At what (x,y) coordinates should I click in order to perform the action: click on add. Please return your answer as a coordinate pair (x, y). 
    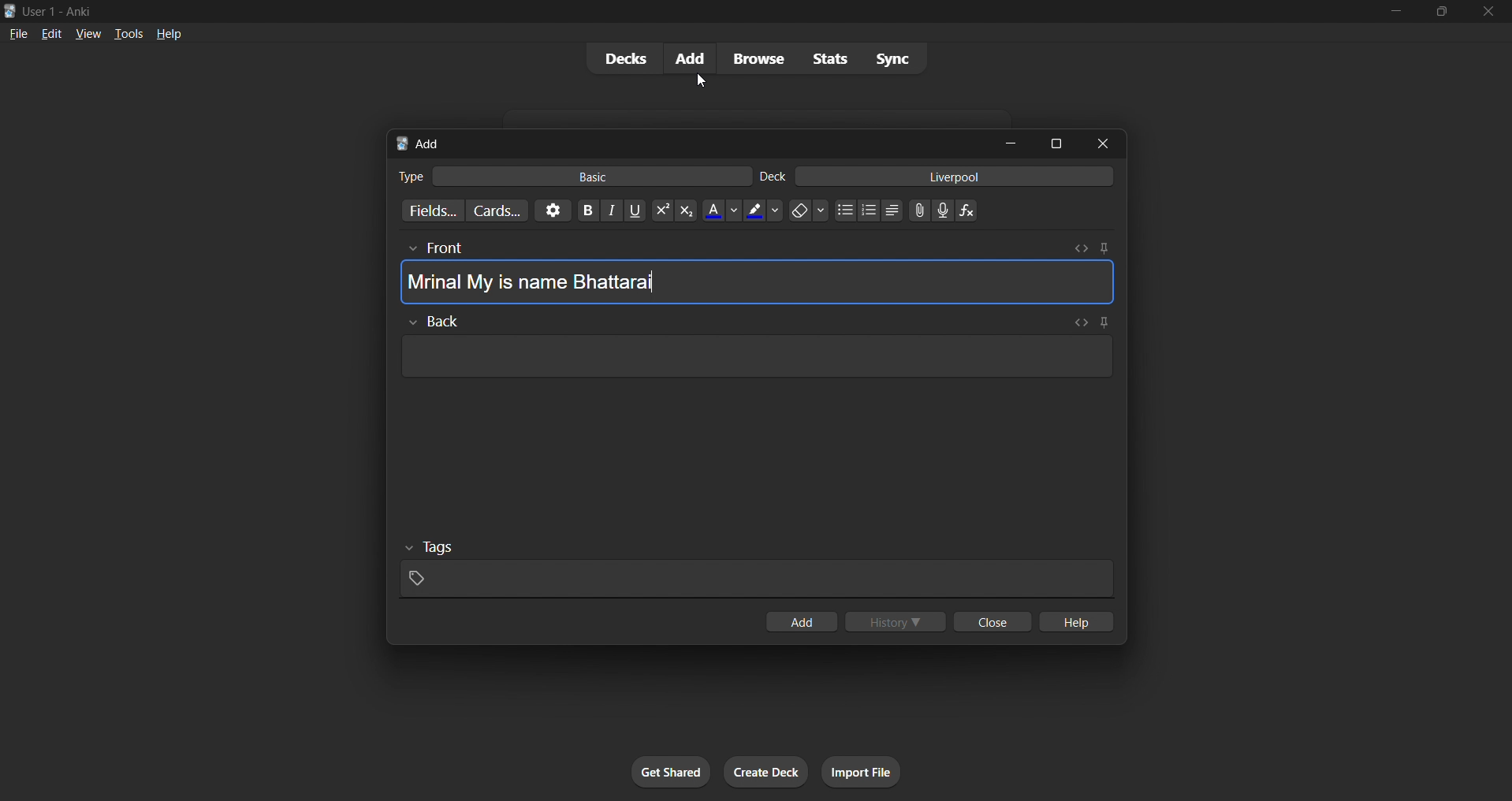
    Looking at the image, I should click on (685, 59).